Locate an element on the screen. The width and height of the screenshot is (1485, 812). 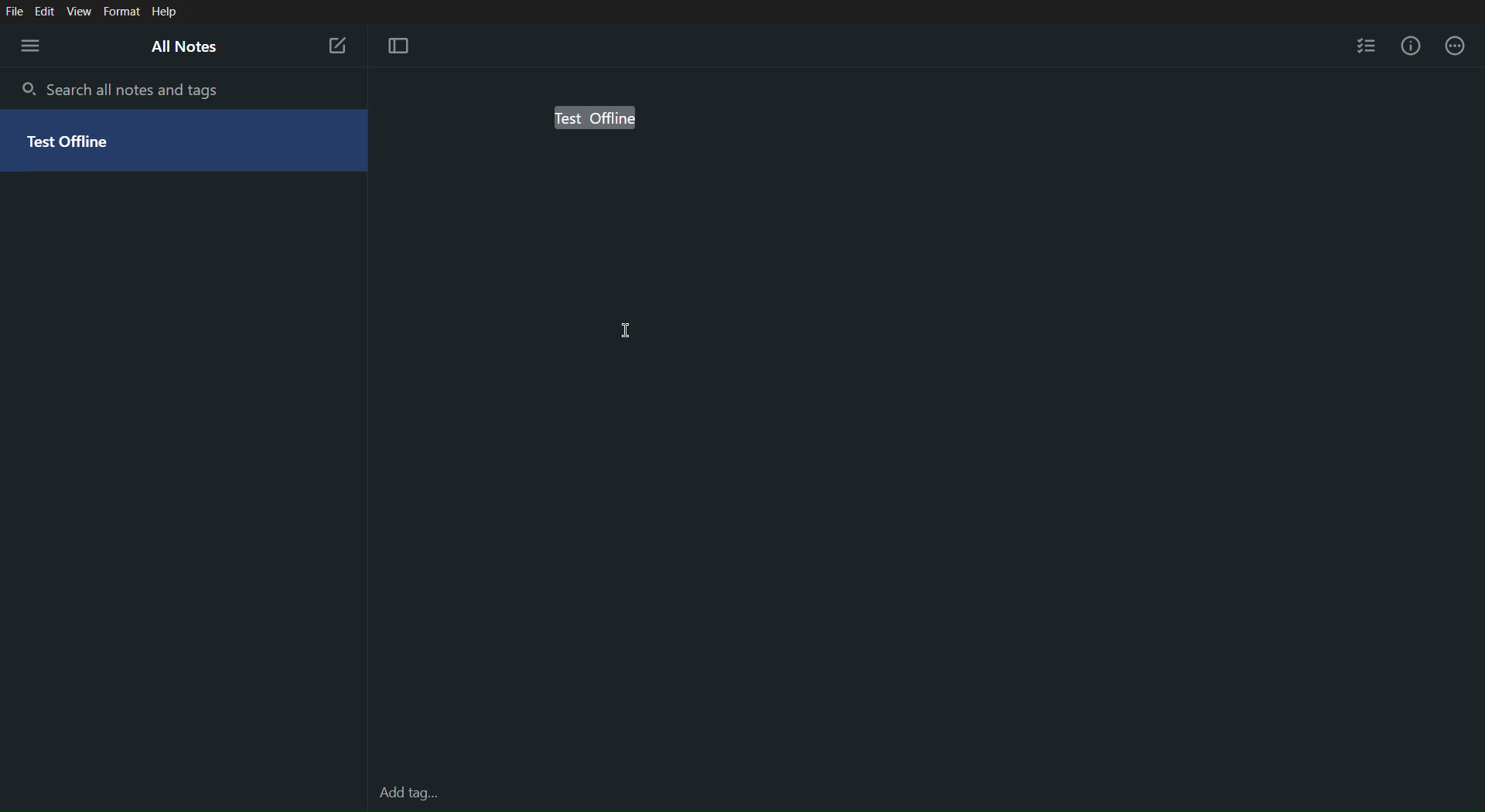
New Note is located at coordinates (337, 45).